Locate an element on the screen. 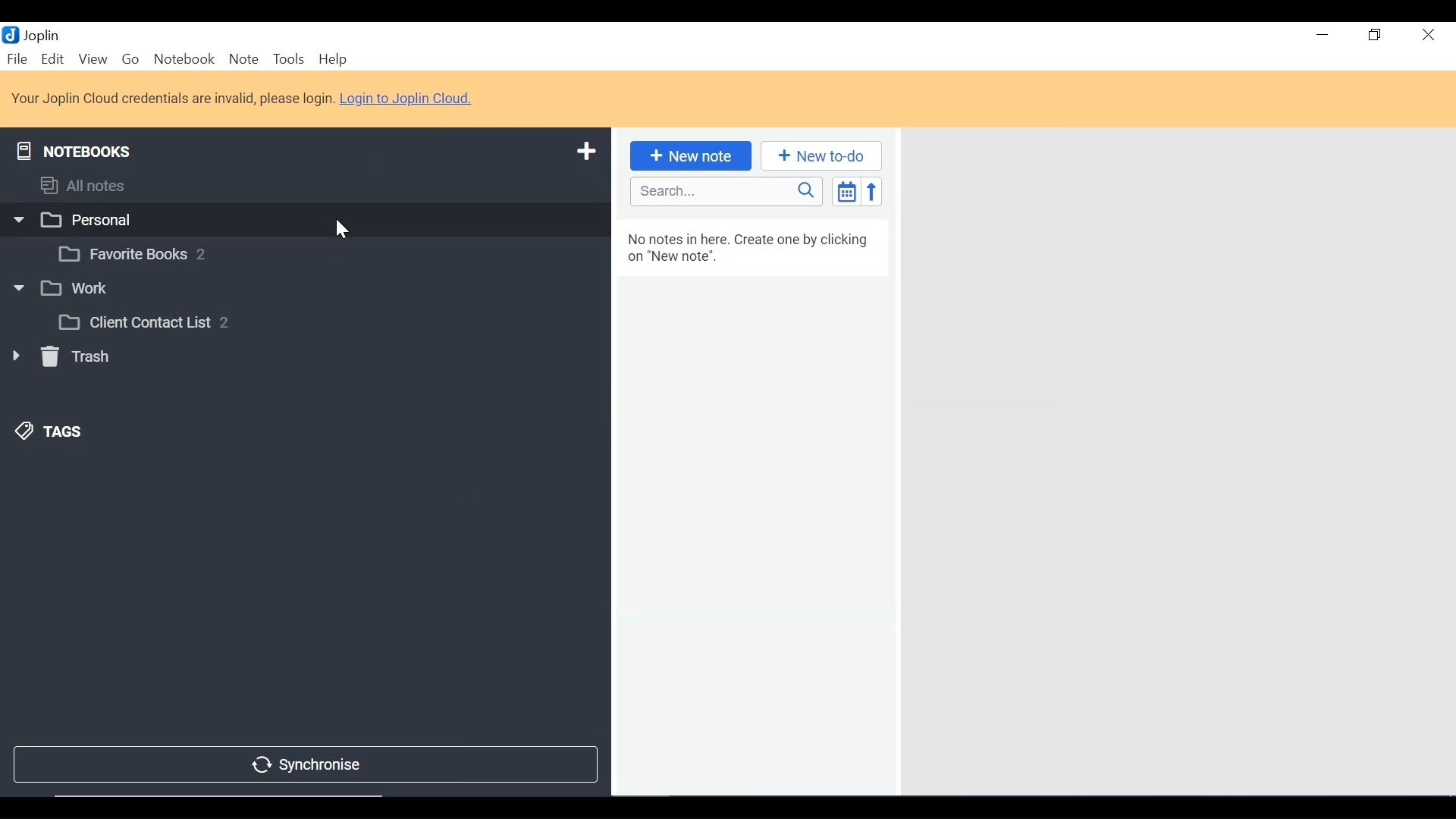 This screenshot has height=819, width=1456. Toggle sort editor list is located at coordinates (845, 191).